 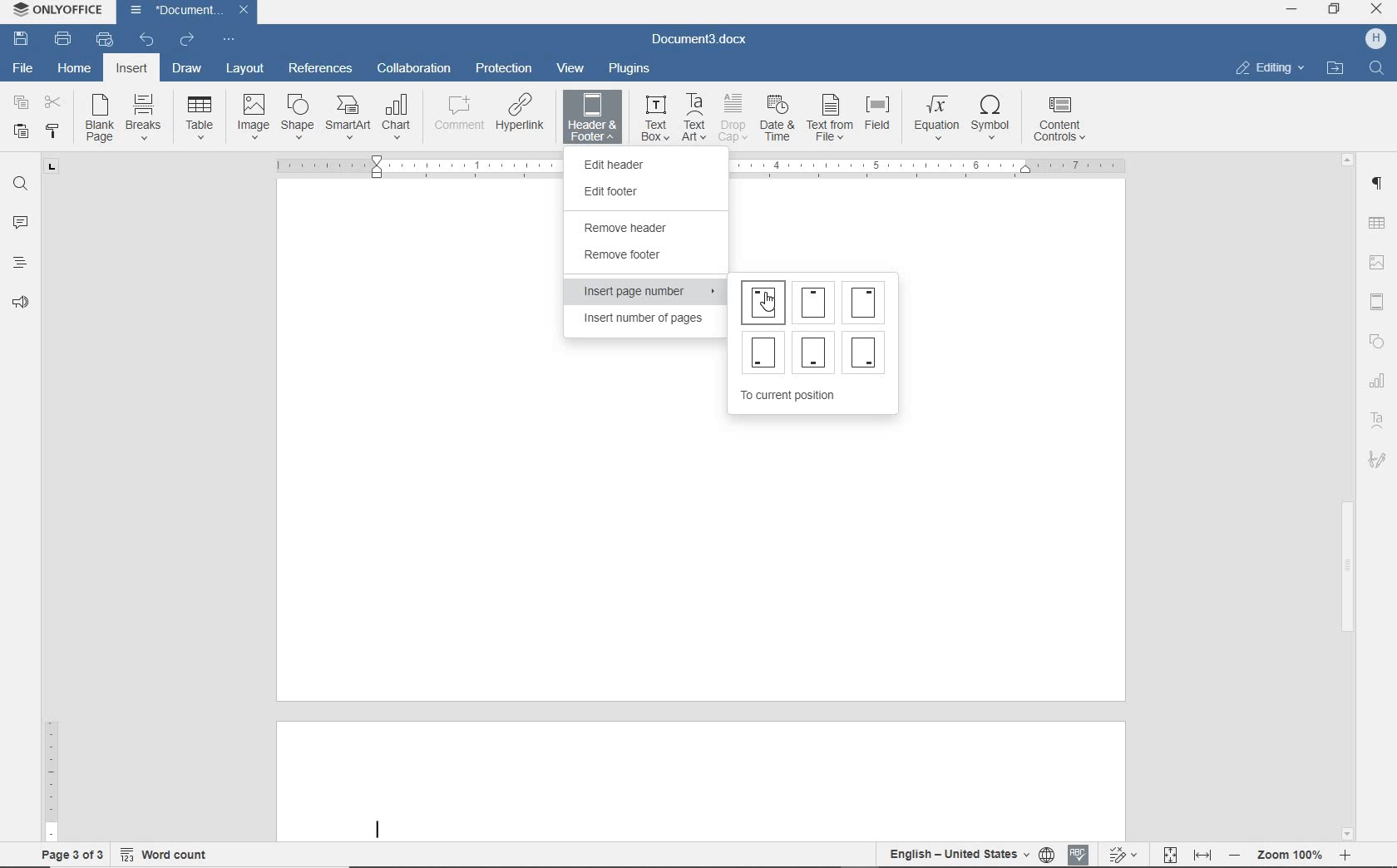 What do you see at coordinates (51, 747) in the screenshot?
I see `RULER` at bounding box center [51, 747].